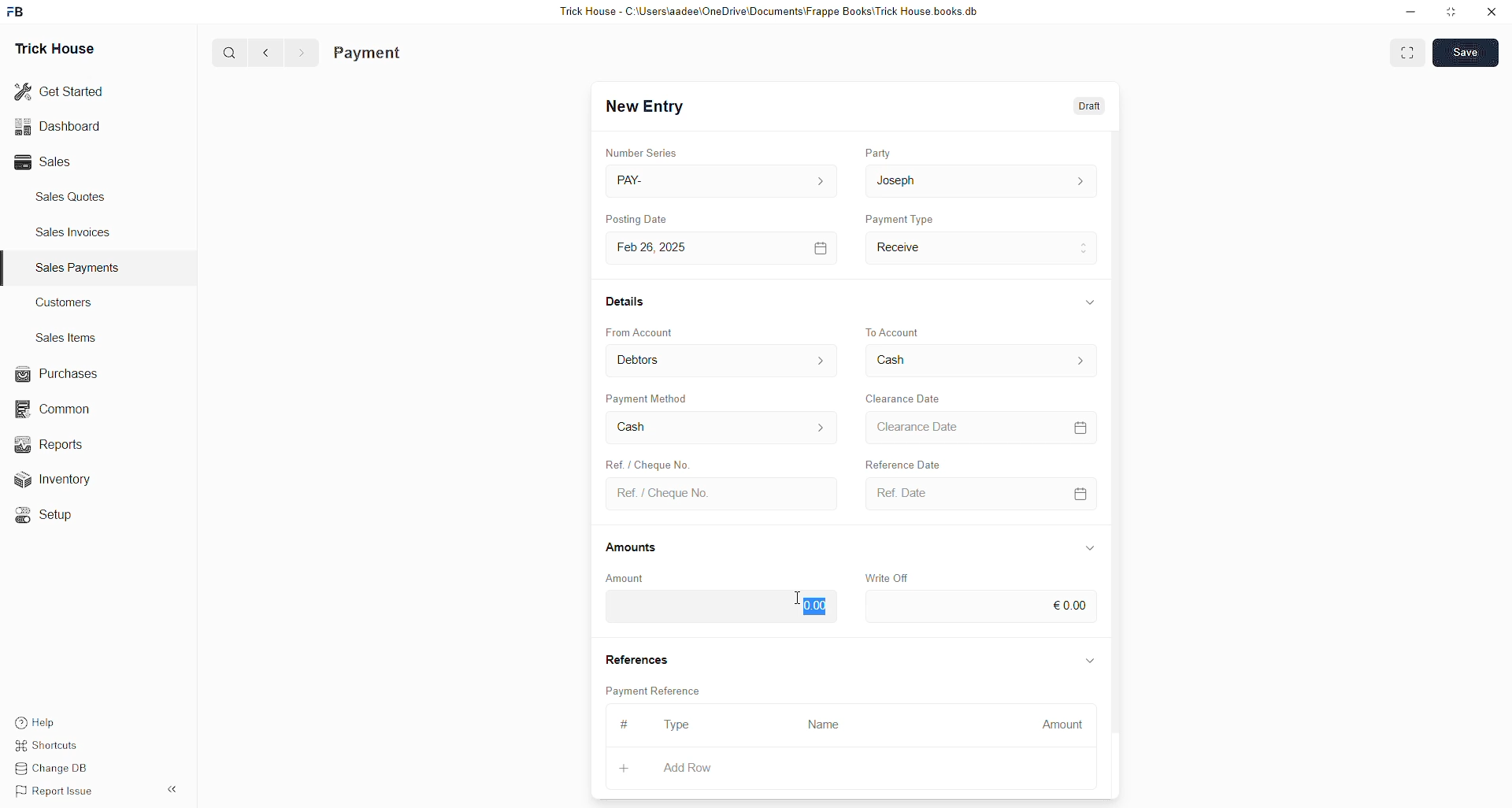  I want to click on Forward, so click(302, 54).